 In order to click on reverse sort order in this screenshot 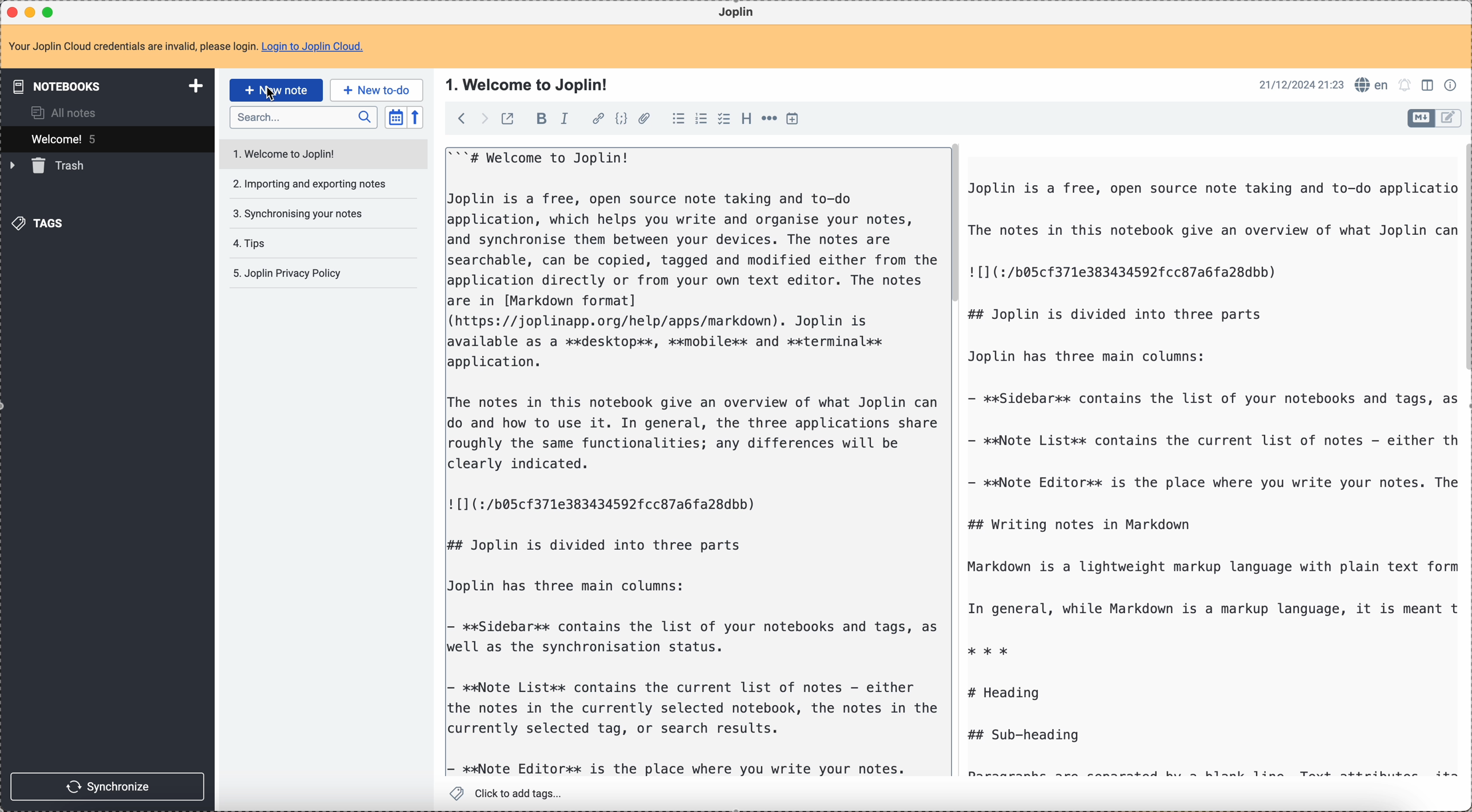, I will do `click(415, 117)`.